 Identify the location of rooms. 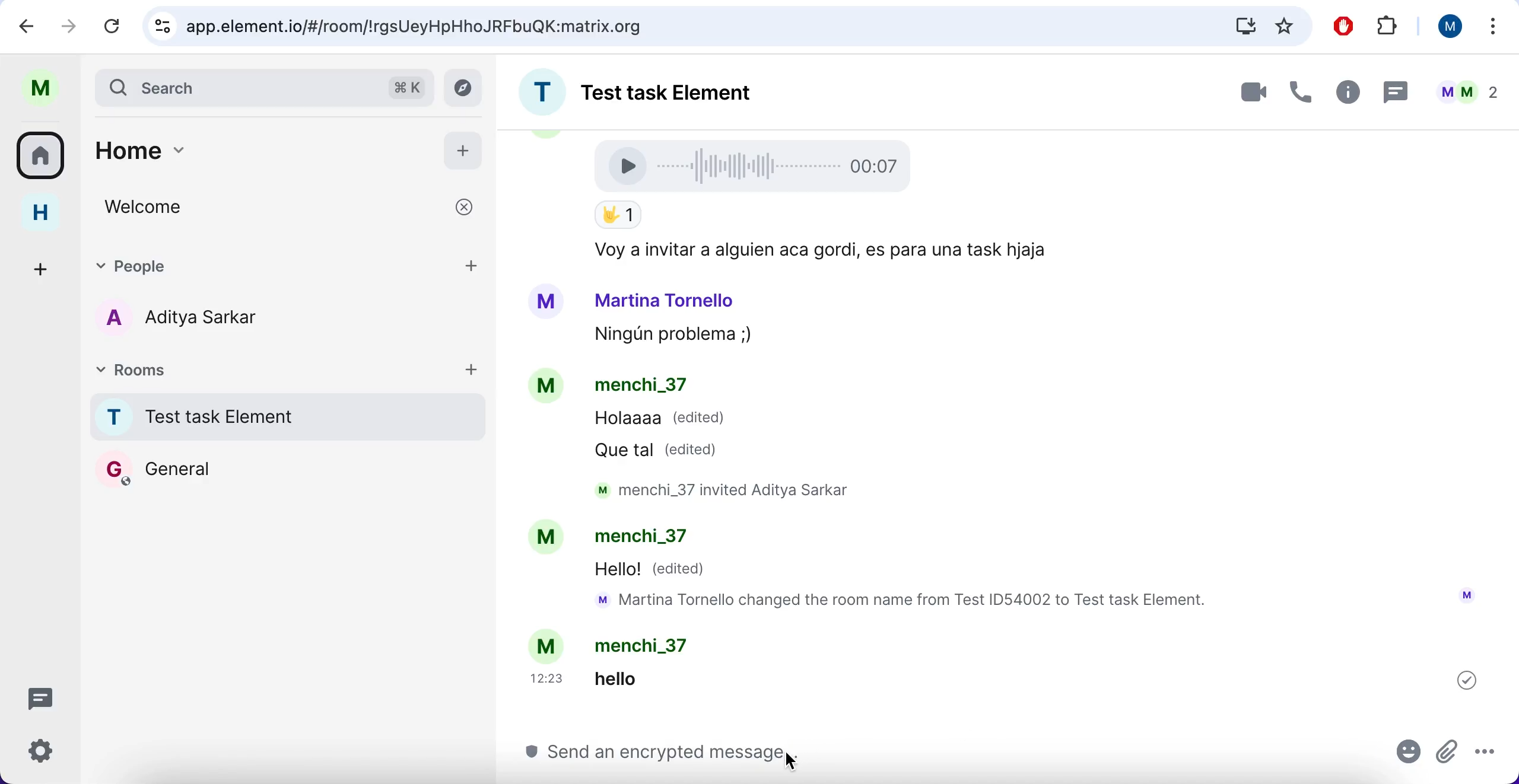
(45, 154).